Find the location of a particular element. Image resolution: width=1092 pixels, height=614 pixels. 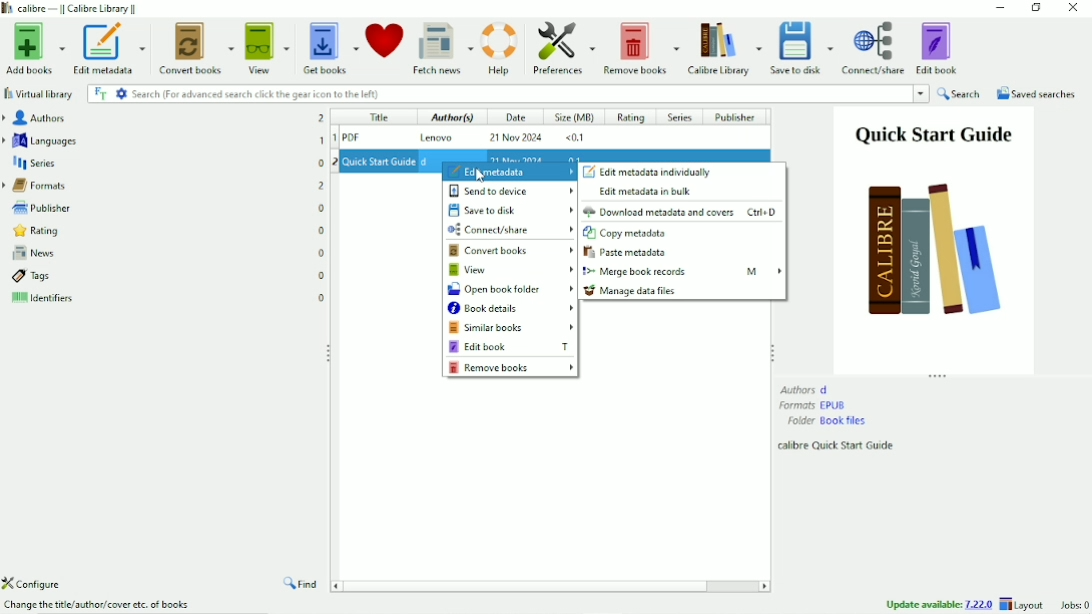

Authors is located at coordinates (162, 117).